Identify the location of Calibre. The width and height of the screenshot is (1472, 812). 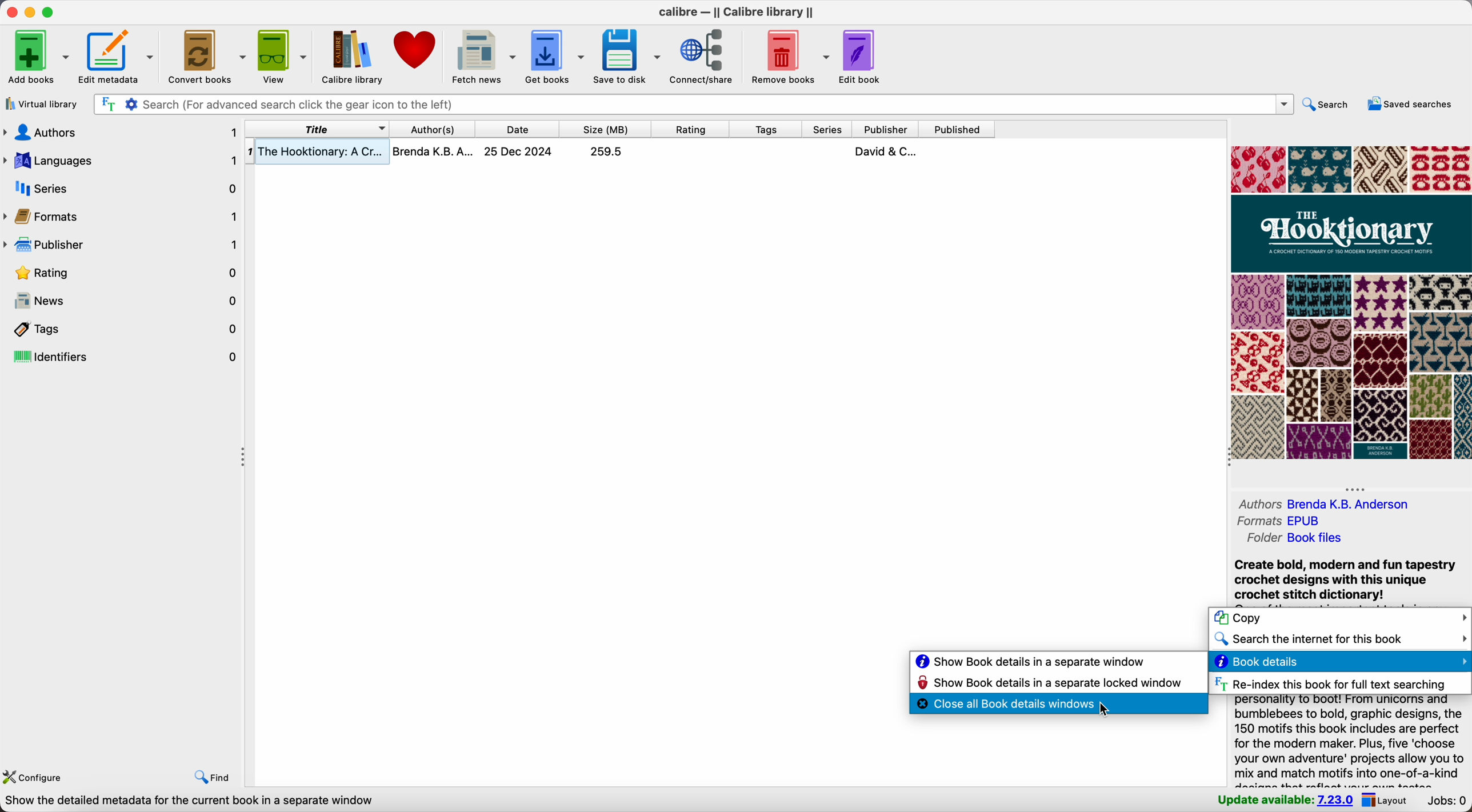
(736, 14).